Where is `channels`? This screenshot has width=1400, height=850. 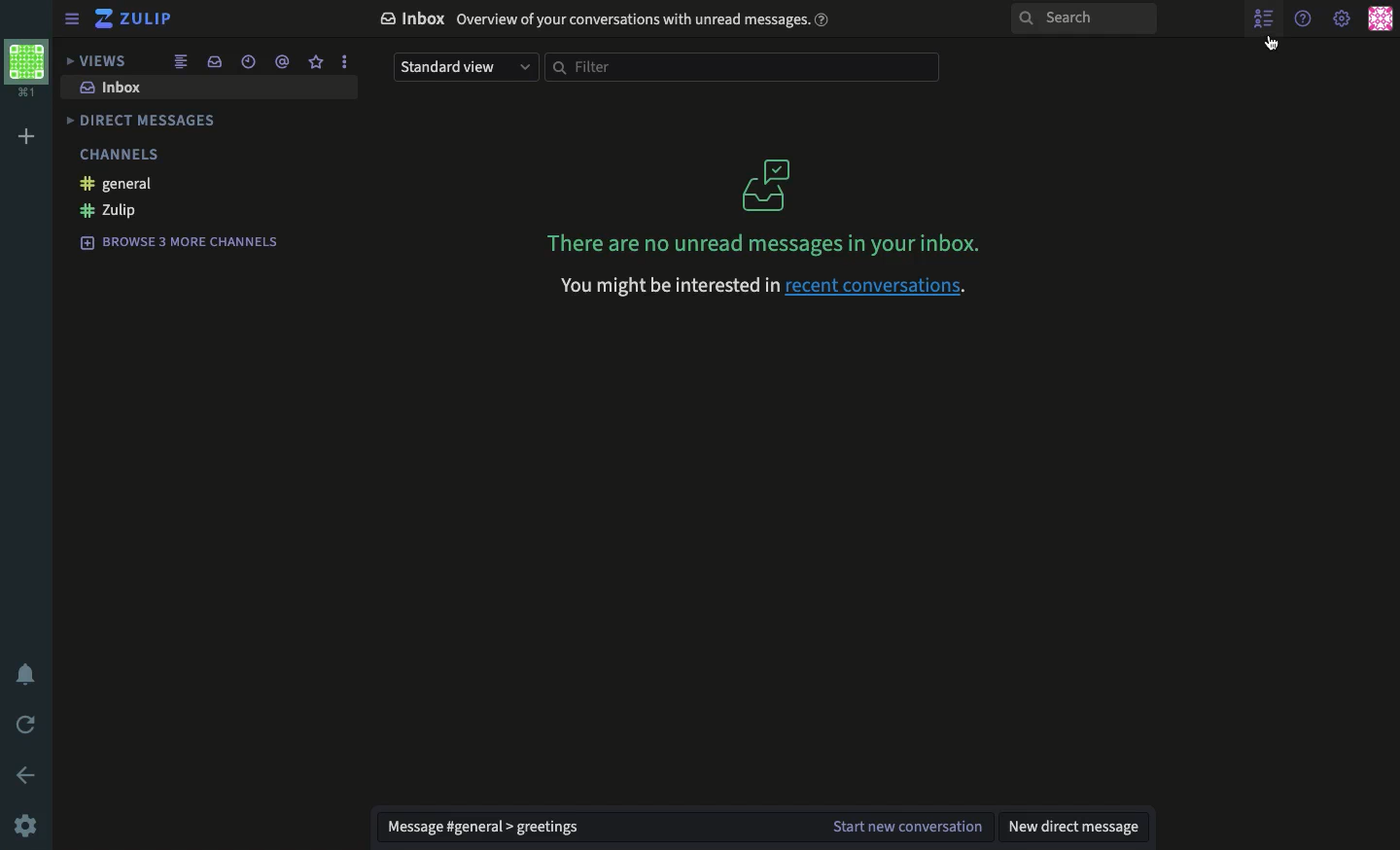
channels is located at coordinates (118, 153).